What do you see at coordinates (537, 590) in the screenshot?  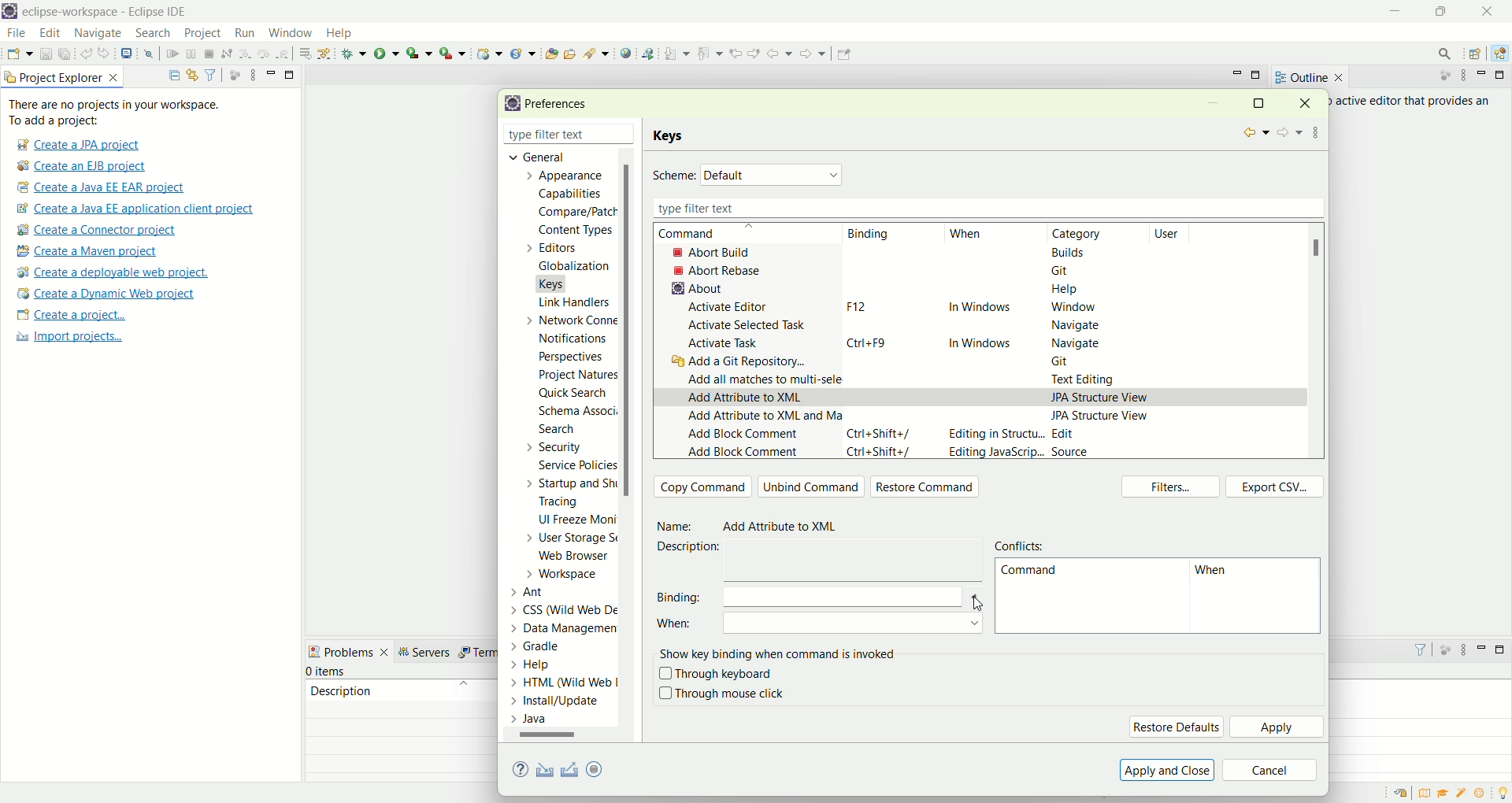 I see `Ant` at bounding box center [537, 590].